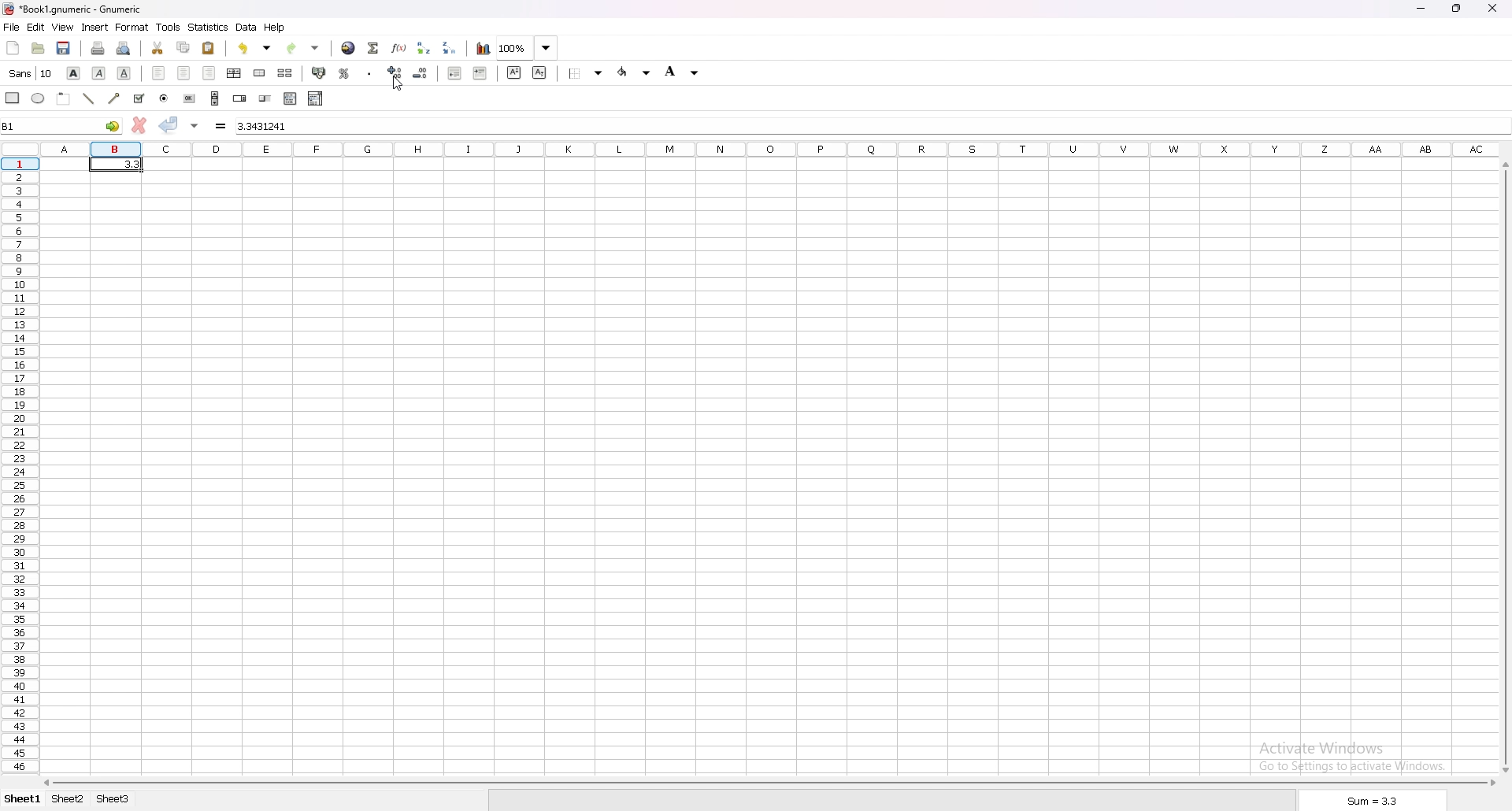  Describe the element at coordinates (586, 74) in the screenshot. I see `border` at that location.